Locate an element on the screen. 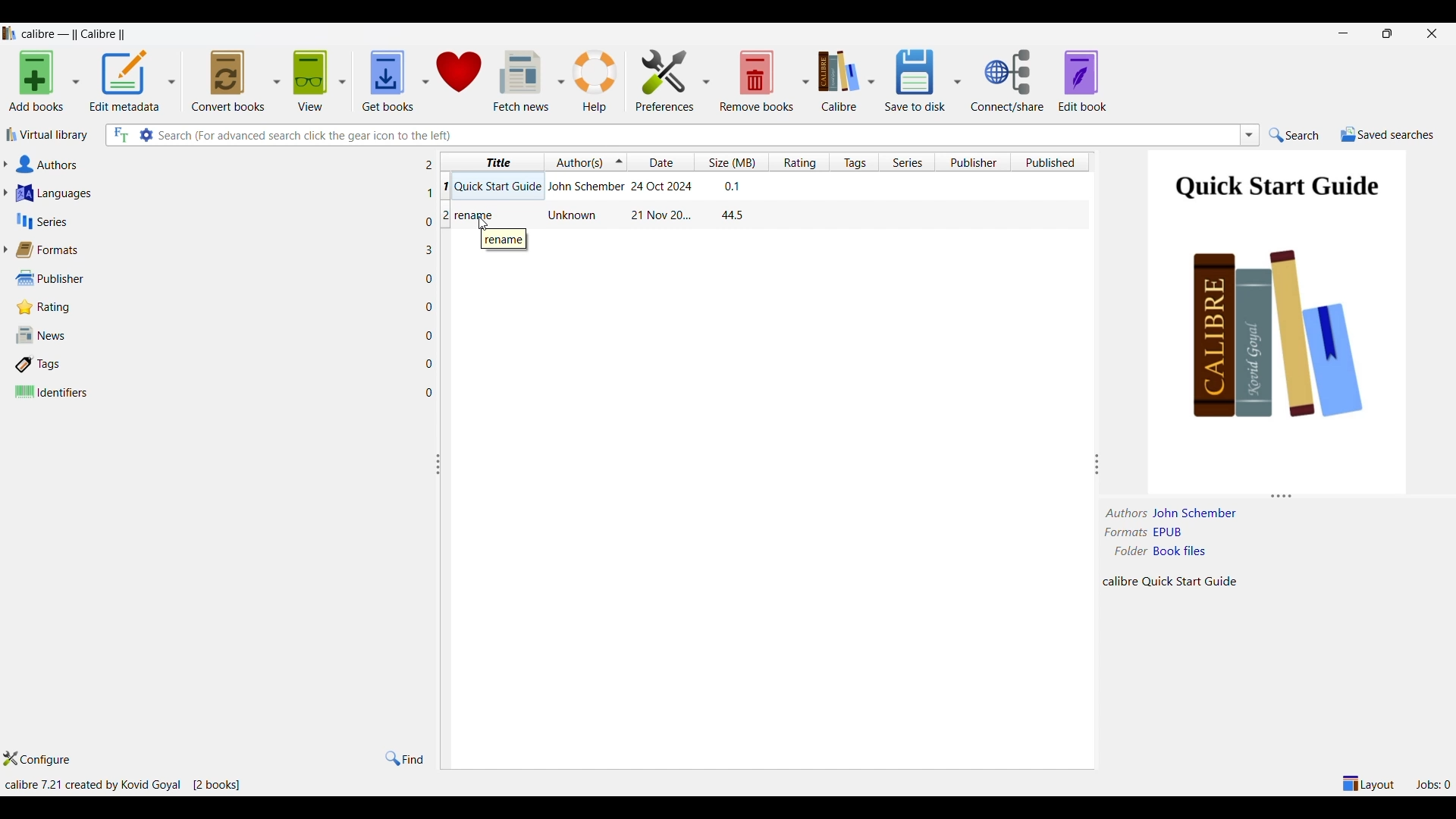  formats is located at coordinates (1127, 532).